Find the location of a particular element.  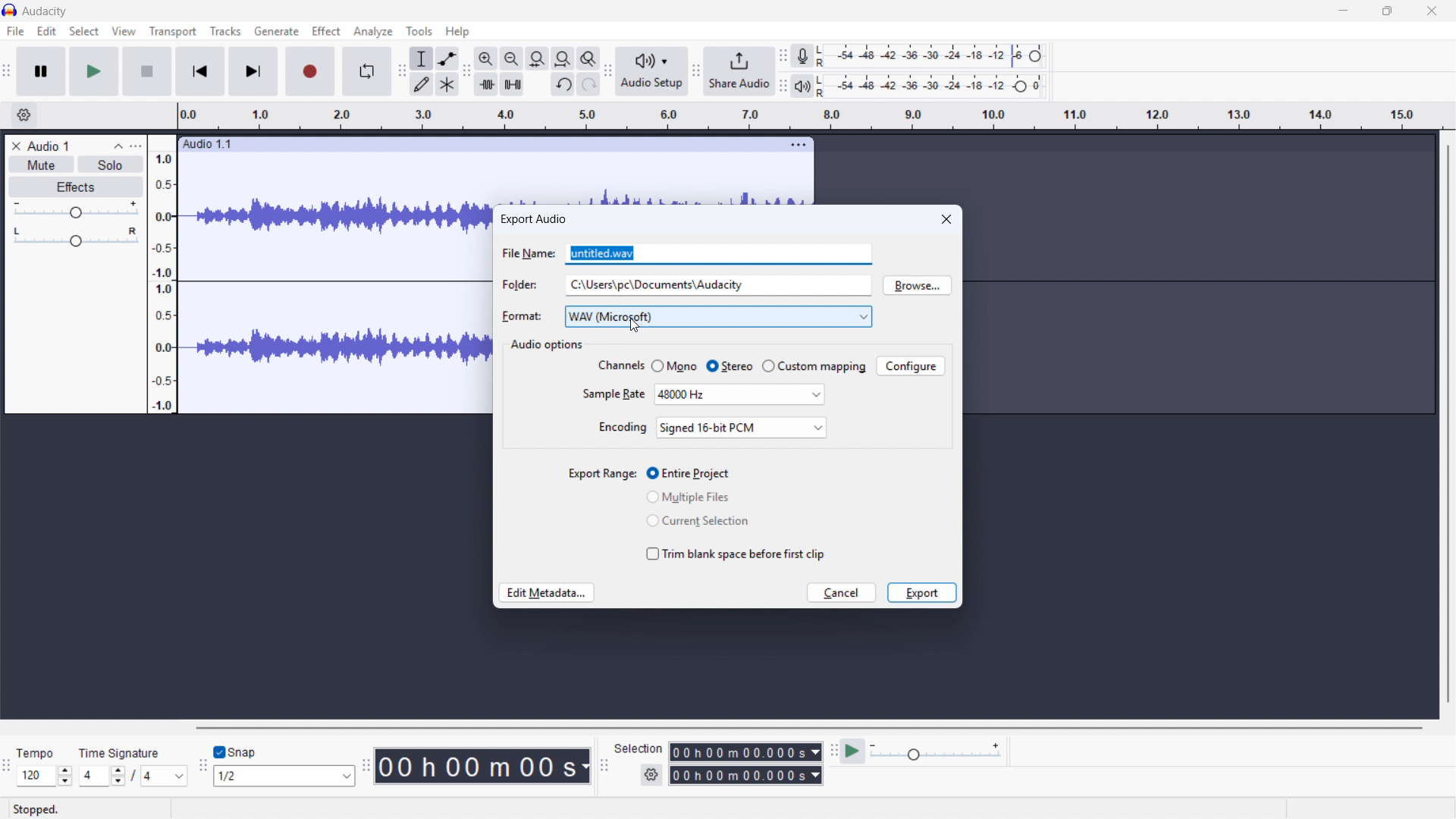

stopped is located at coordinates (43, 808).